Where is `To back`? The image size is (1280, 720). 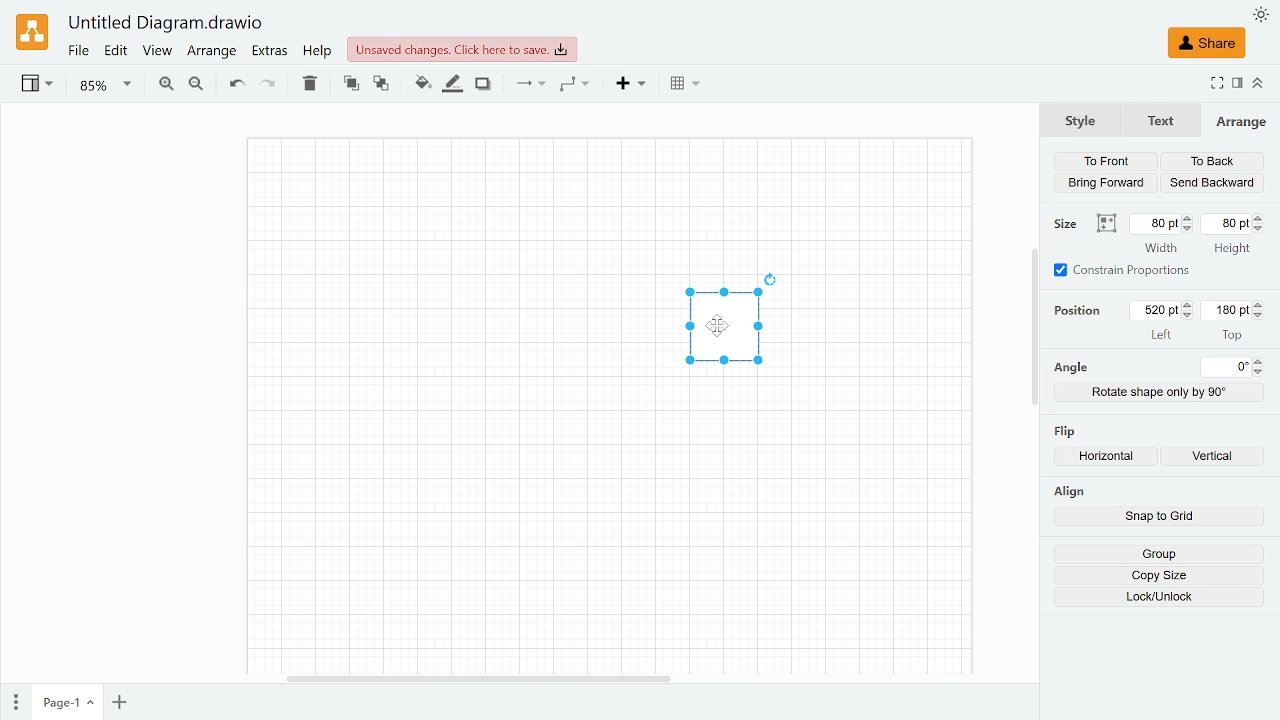 To back is located at coordinates (382, 85).